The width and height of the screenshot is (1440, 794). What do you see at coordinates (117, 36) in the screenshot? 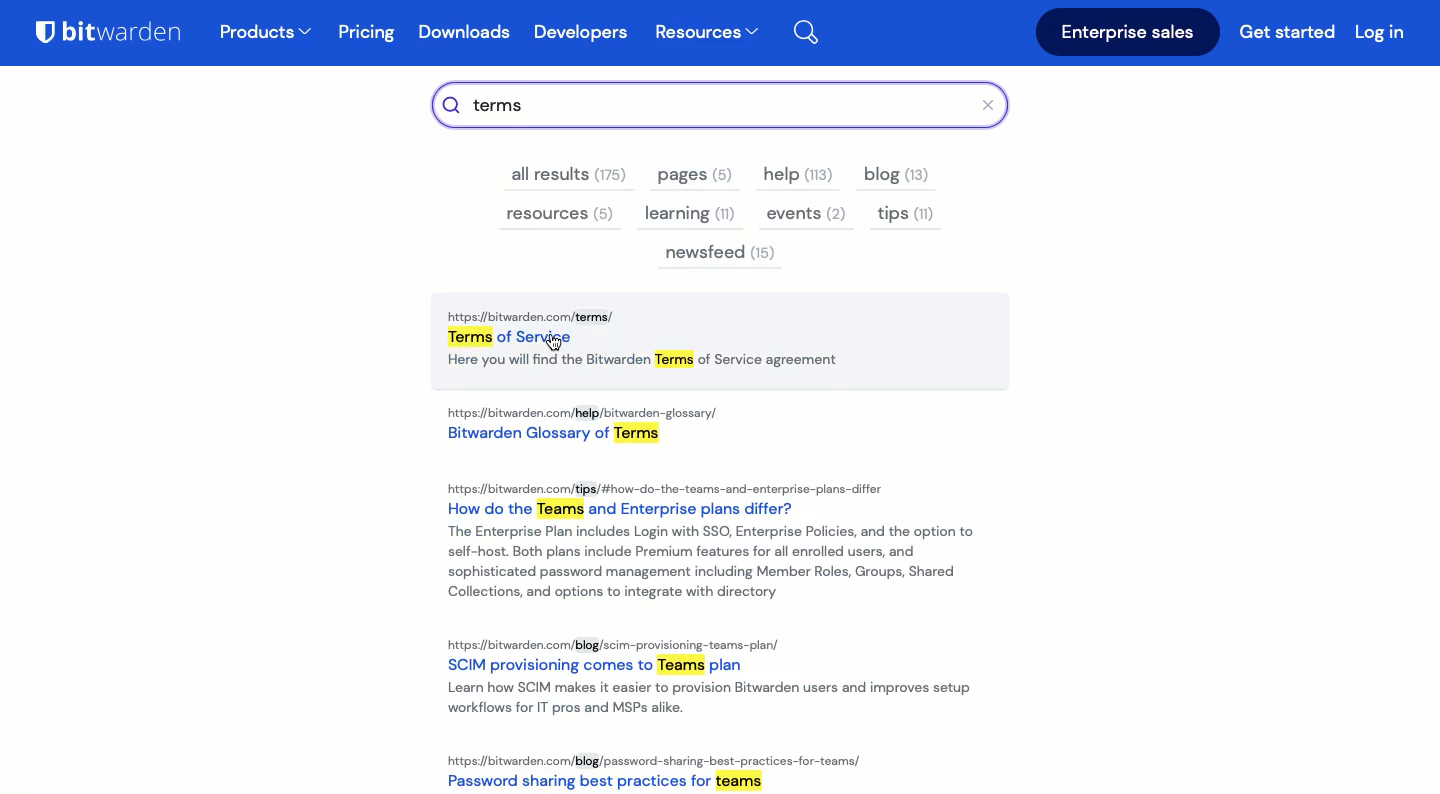
I see `Bitwarden` at bounding box center [117, 36].